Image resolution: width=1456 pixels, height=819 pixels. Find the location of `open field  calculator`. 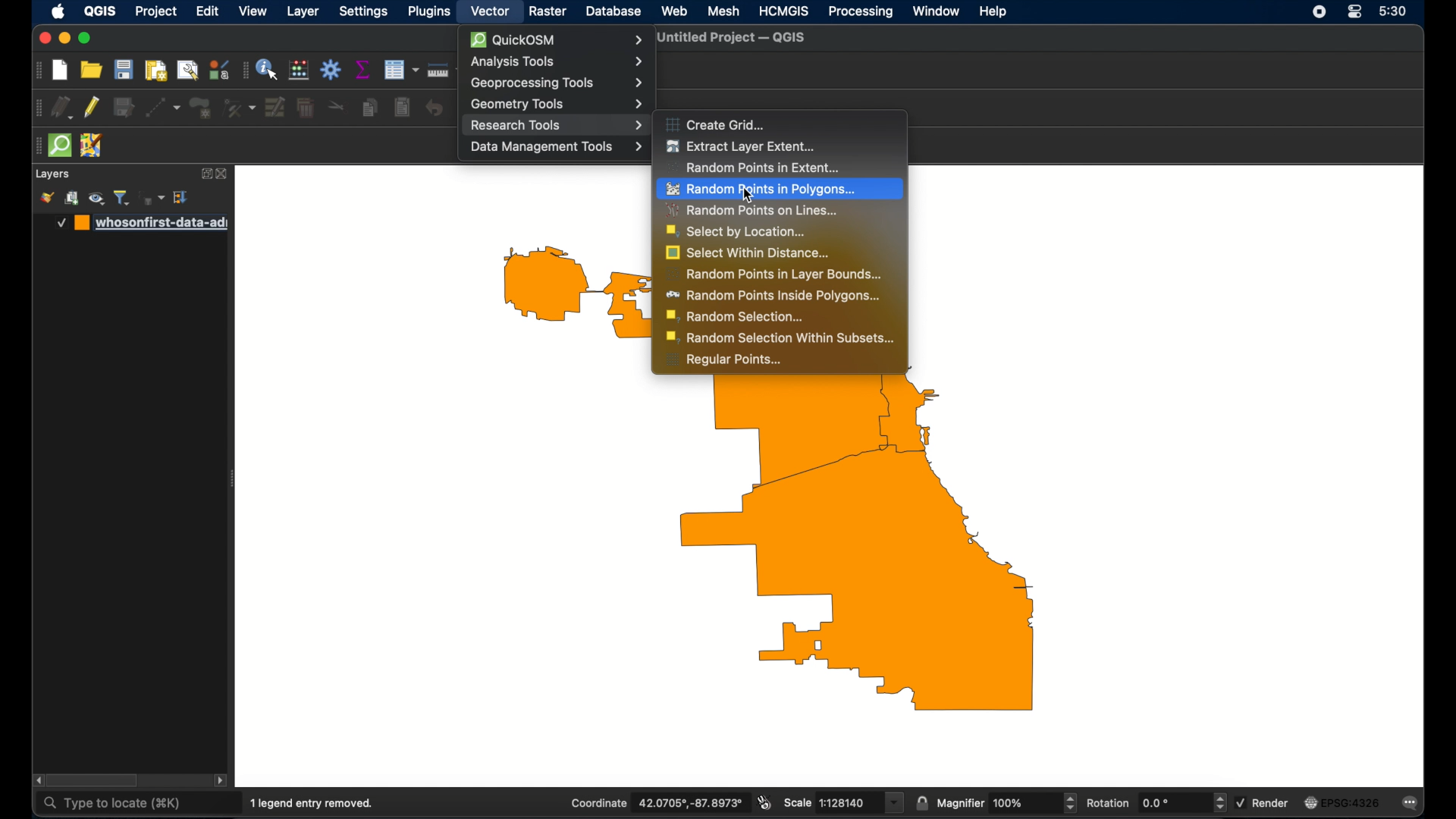

open field  calculator is located at coordinates (300, 71).